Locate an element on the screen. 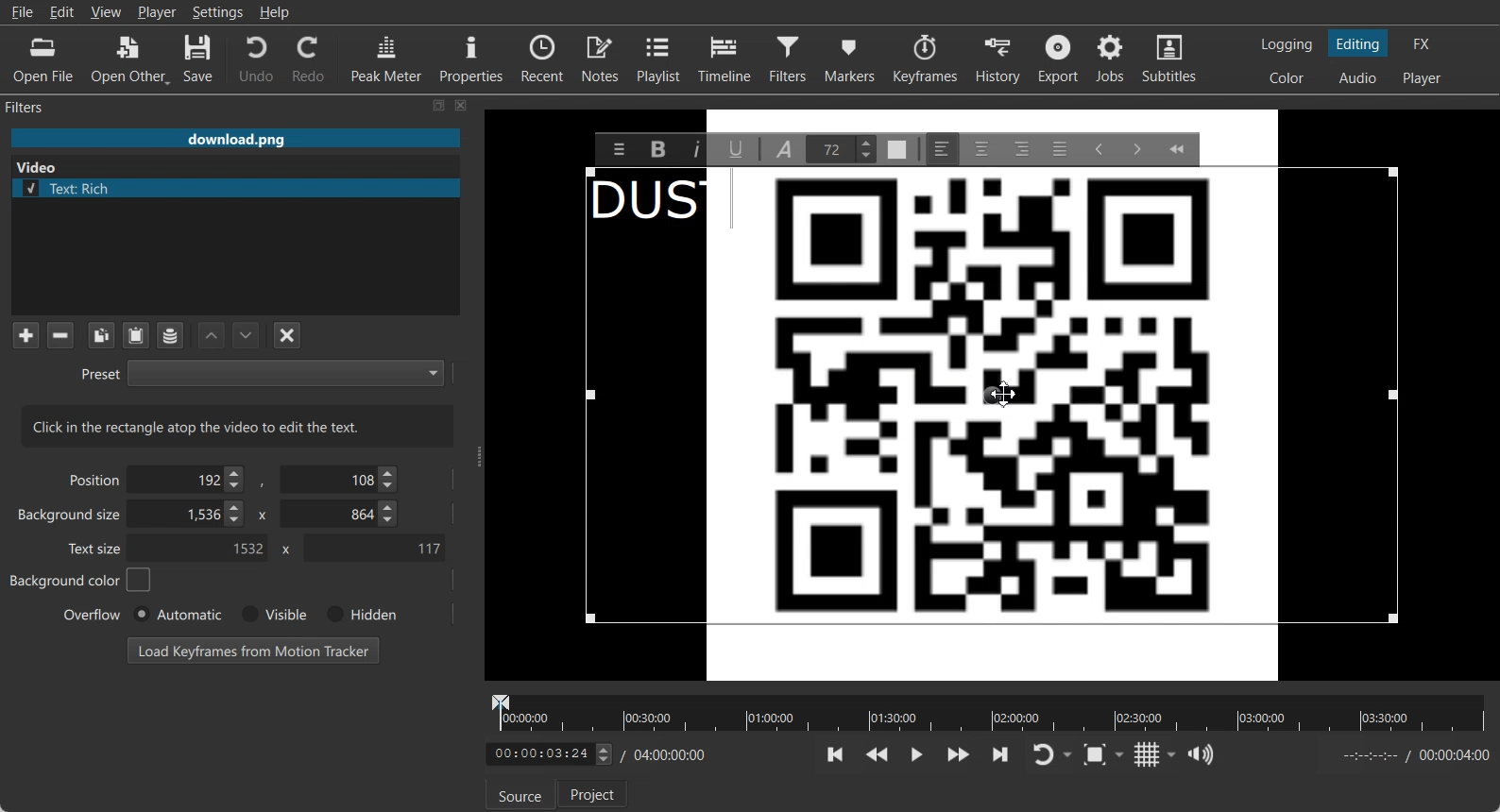  File is located at coordinates (235, 140).